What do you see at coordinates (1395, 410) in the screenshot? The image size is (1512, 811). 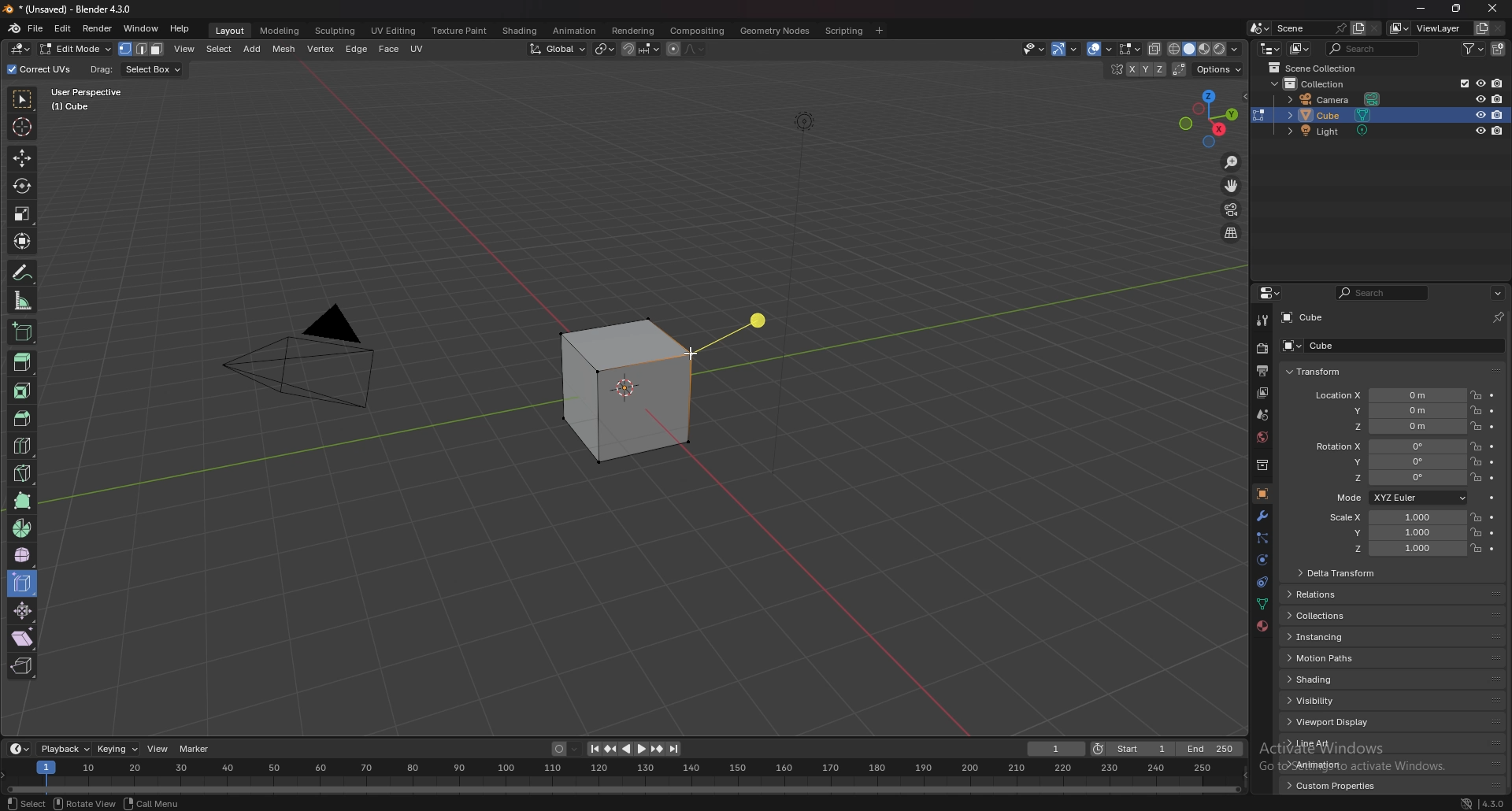 I see `location y` at bounding box center [1395, 410].